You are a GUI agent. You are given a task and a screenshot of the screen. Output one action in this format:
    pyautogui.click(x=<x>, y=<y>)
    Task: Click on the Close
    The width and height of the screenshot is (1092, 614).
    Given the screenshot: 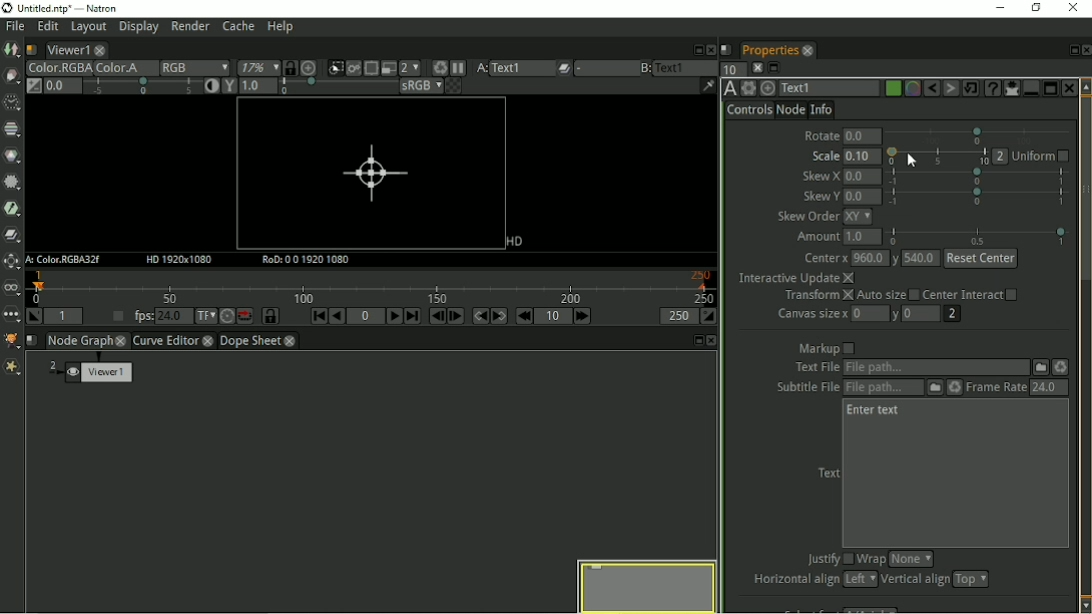 What is the action you would take?
    pyautogui.click(x=1086, y=49)
    